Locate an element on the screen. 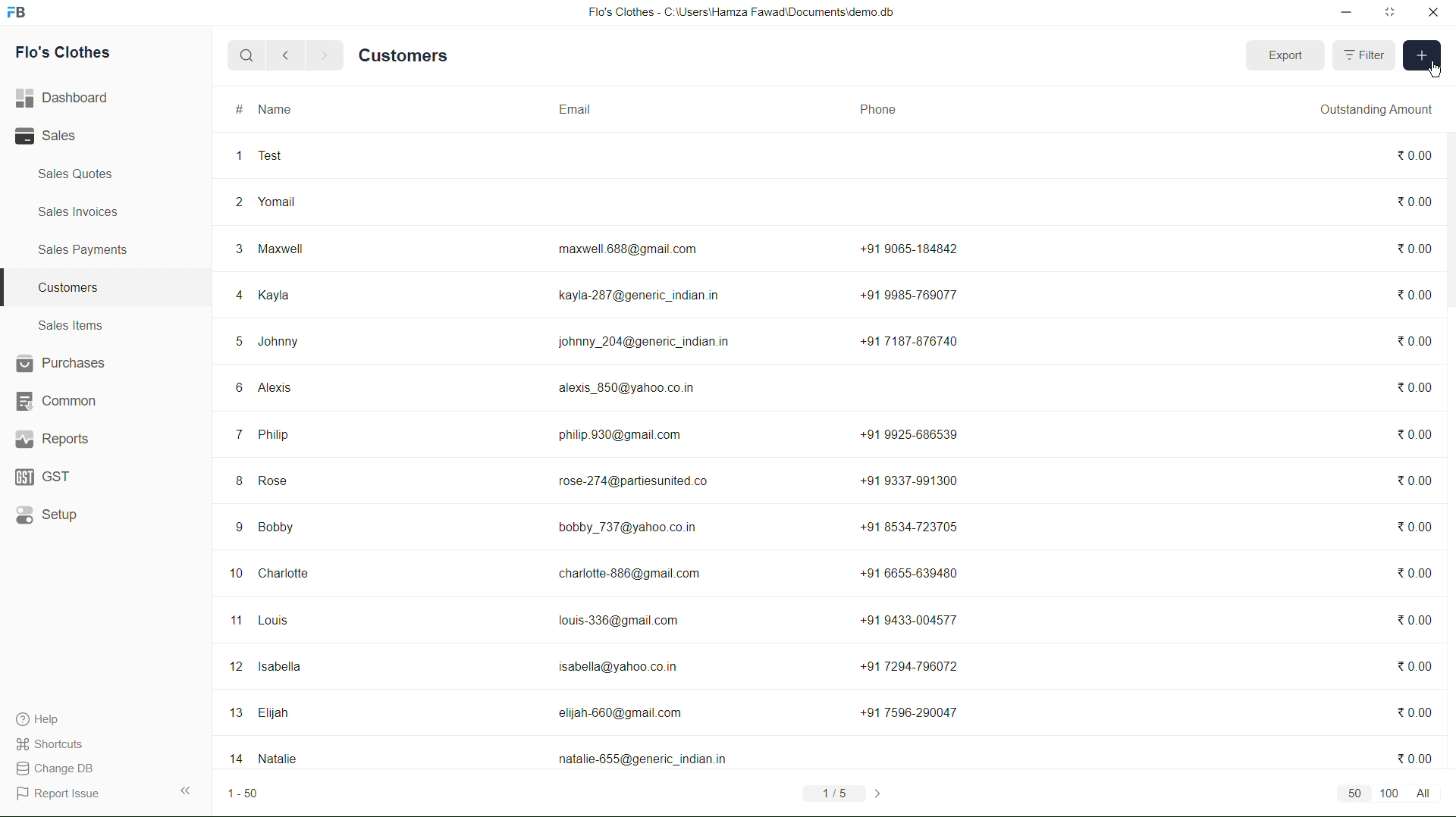 The width and height of the screenshot is (1456, 817). Common is located at coordinates (56, 401).